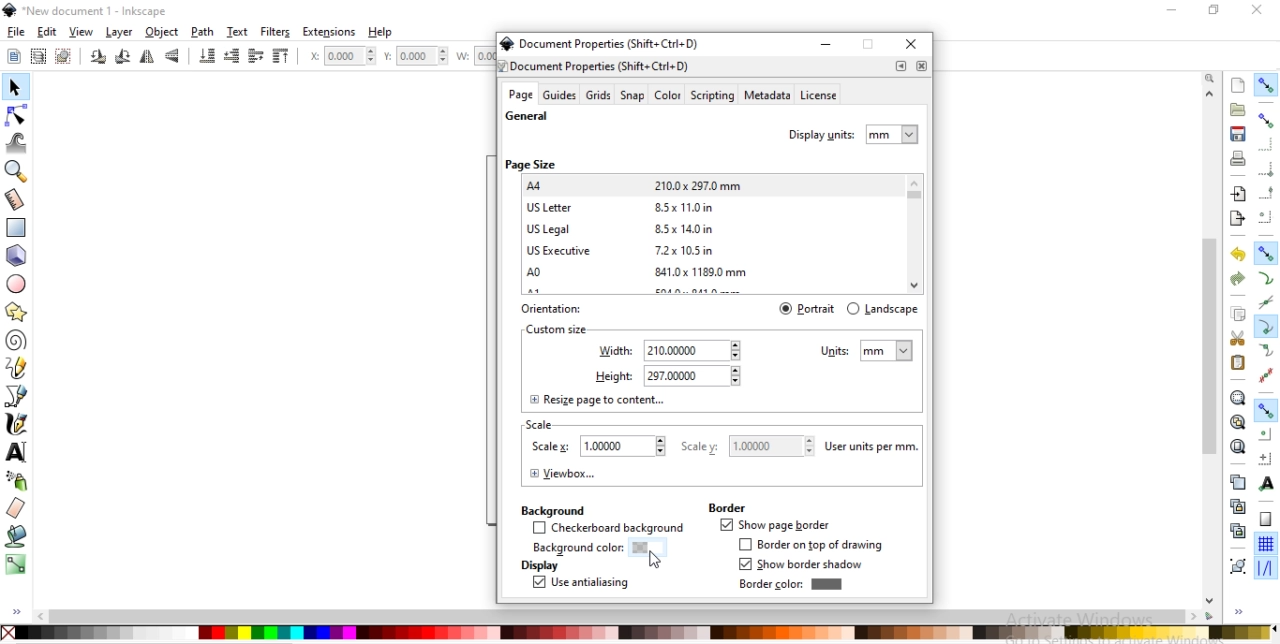 This screenshot has width=1280, height=644. Describe the element at coordinates (16, 32) in the screenshot. I see `file` at that location.